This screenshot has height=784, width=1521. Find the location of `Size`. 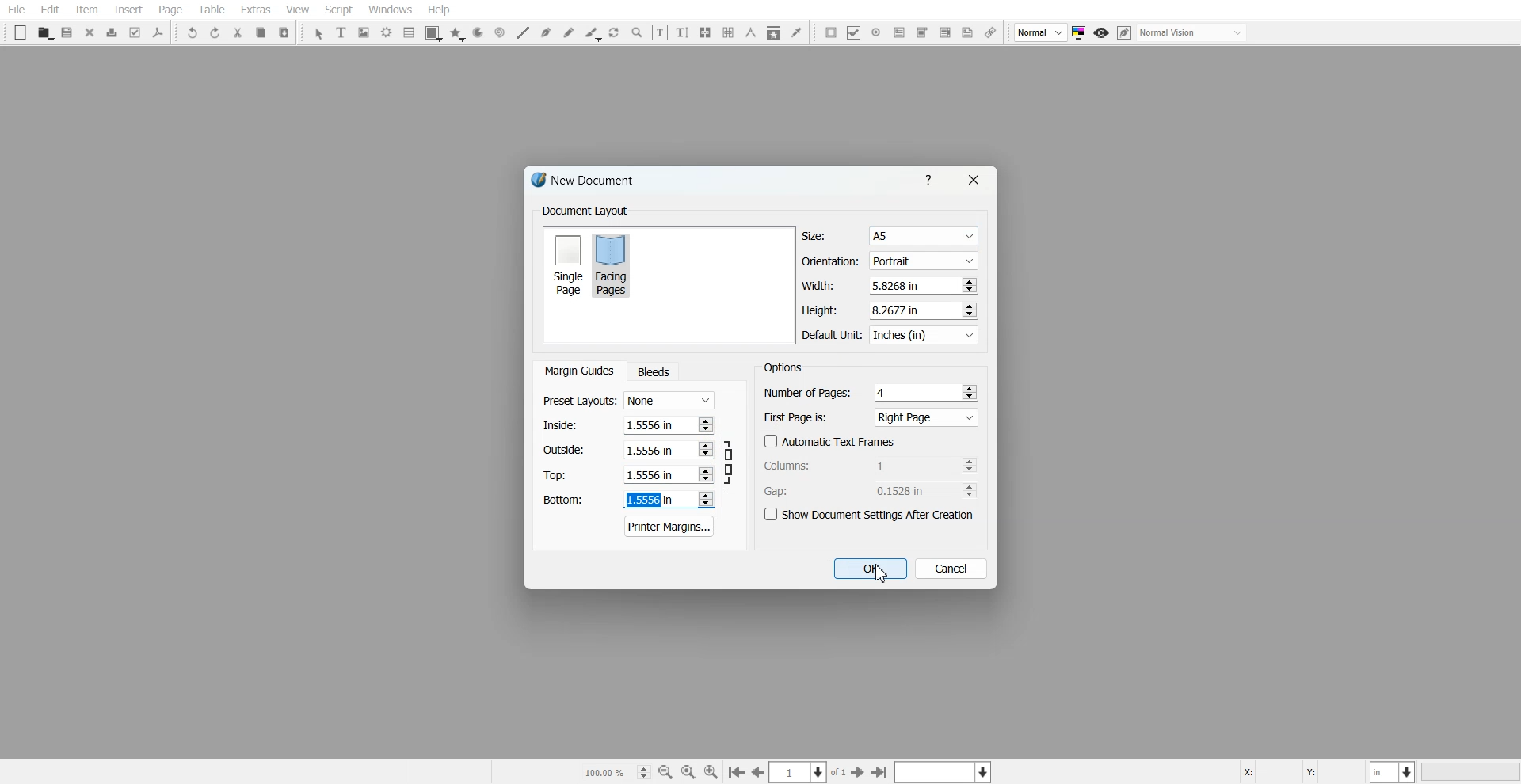

Size is located at coordinates (890, 236).